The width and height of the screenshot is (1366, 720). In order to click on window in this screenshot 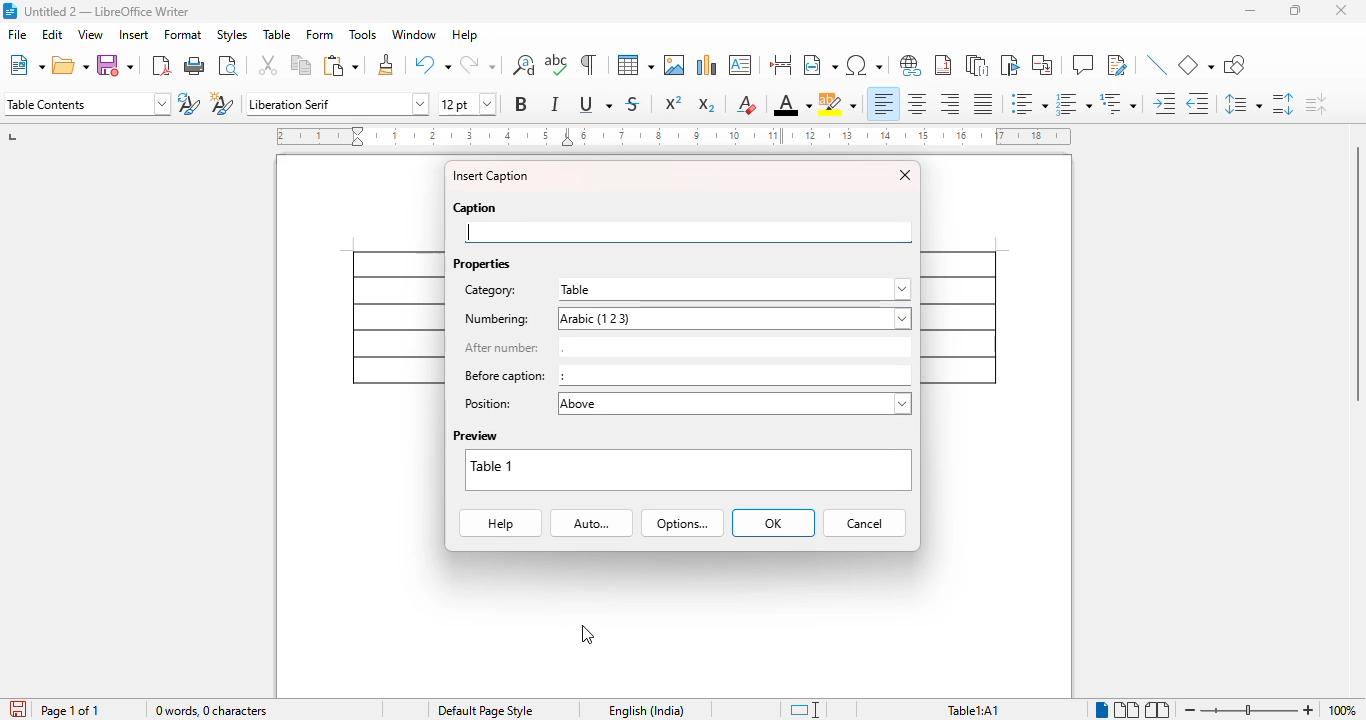, I will do `click(414, 34)`.